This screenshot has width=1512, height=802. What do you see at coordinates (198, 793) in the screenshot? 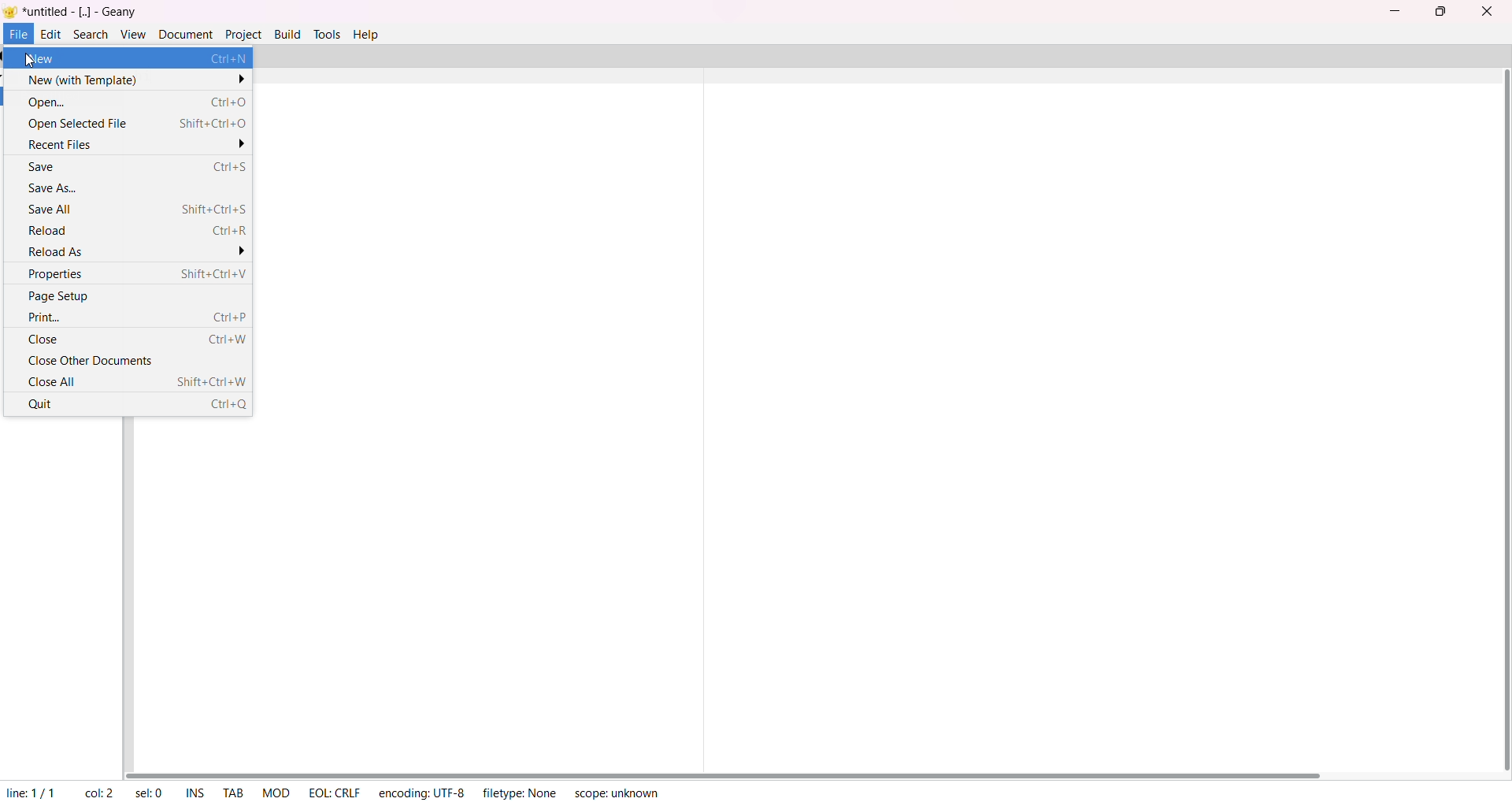
I see `ins` at bounding box center [198, 793].